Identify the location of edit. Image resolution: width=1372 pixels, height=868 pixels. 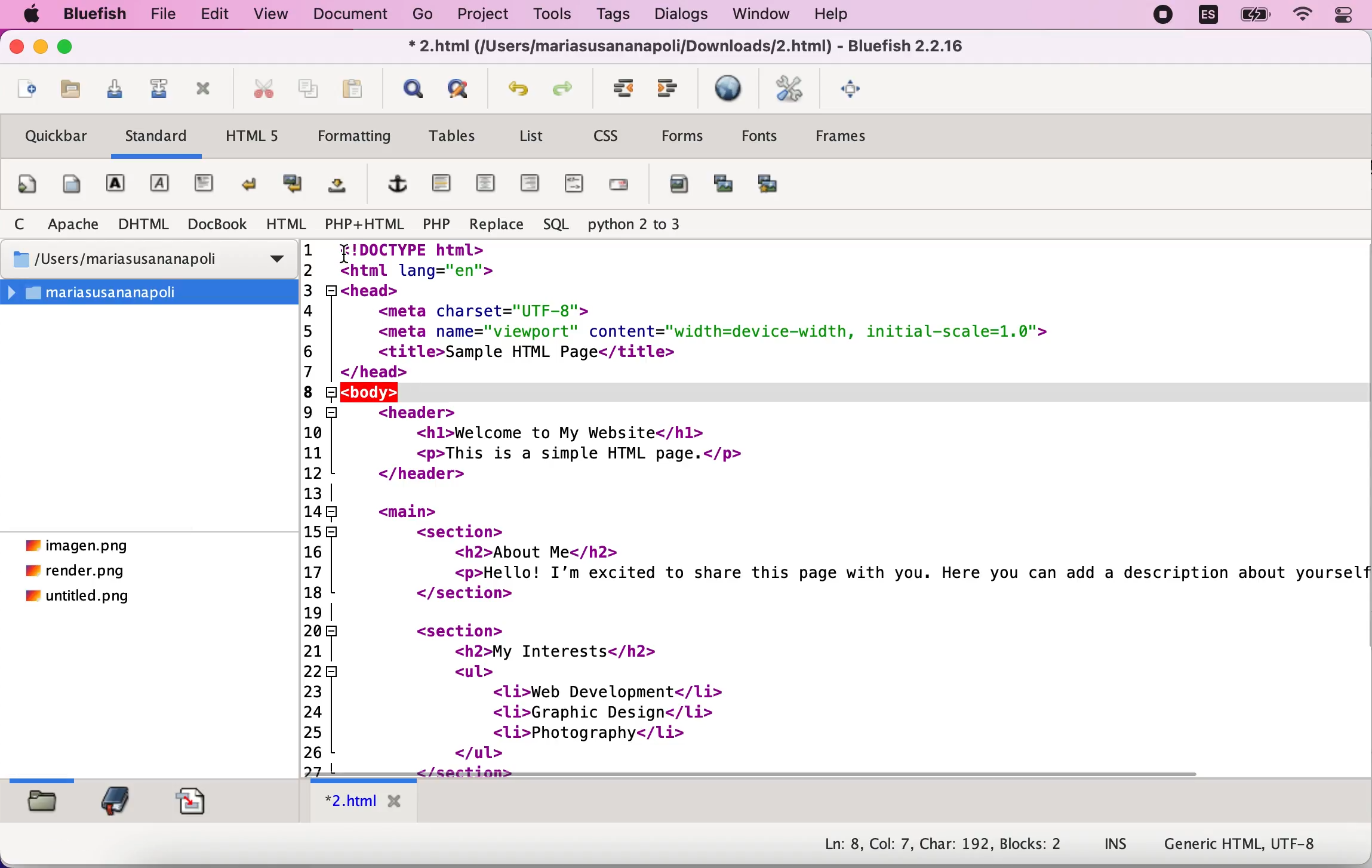
(217, 14).